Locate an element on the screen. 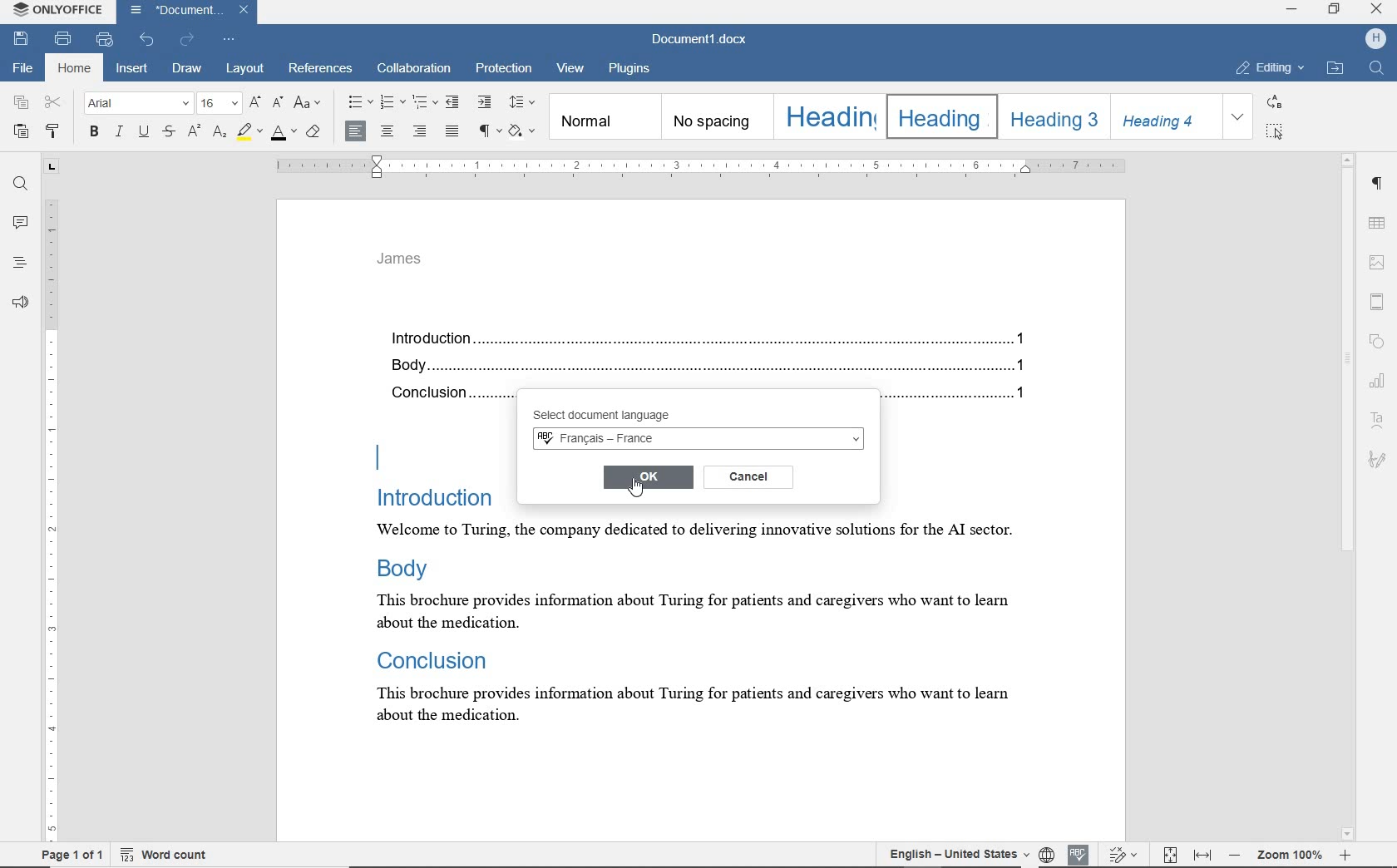 The image size is (1397, 868). copy style is located at coordinates (57, 133).